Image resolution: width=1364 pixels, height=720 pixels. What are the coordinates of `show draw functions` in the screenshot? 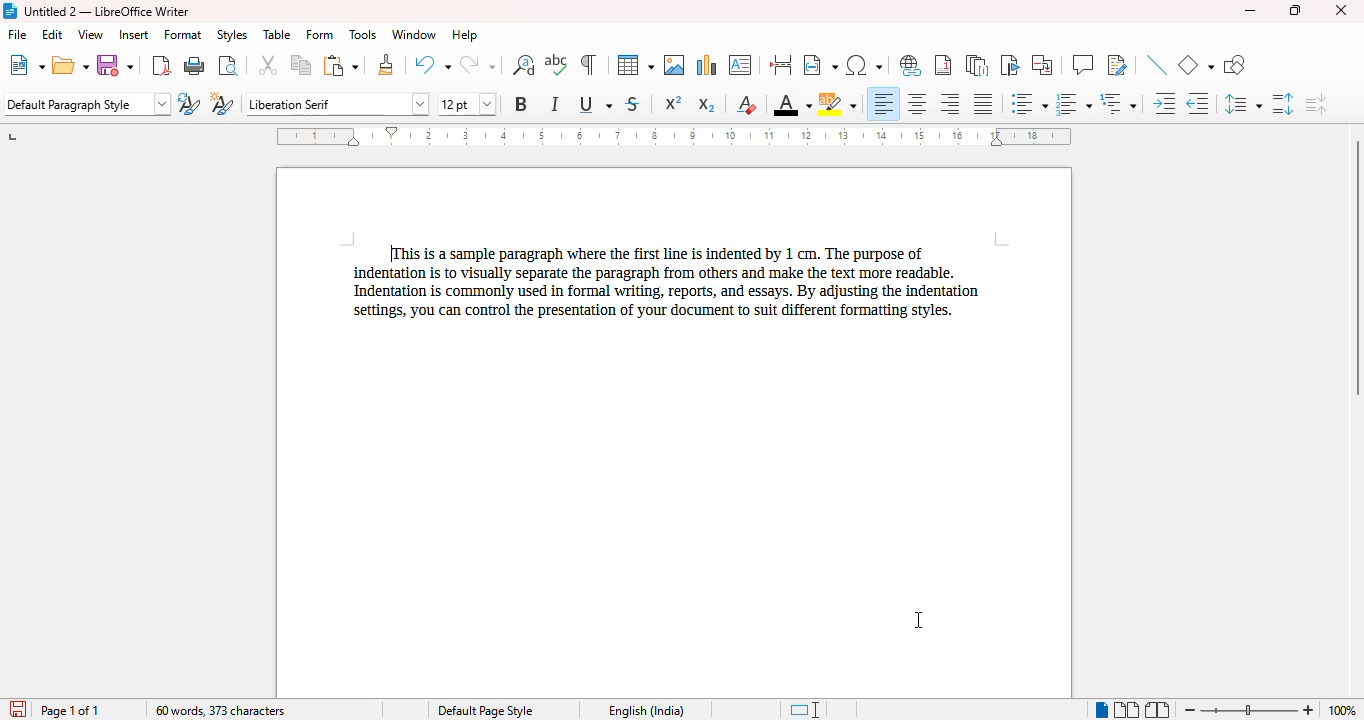 It's located at (1234, 65).